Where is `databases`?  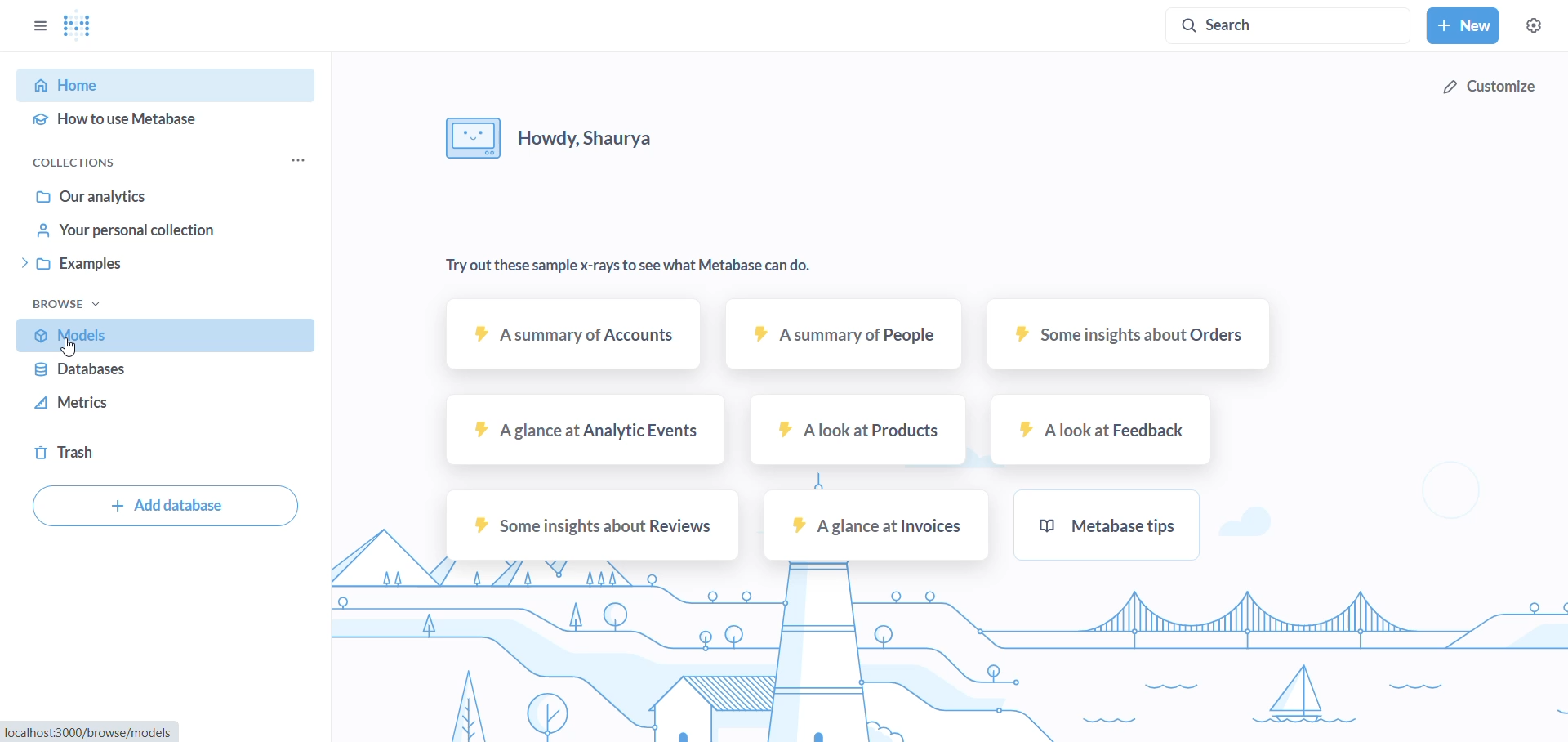 databases is located at coordinates (160, 376).